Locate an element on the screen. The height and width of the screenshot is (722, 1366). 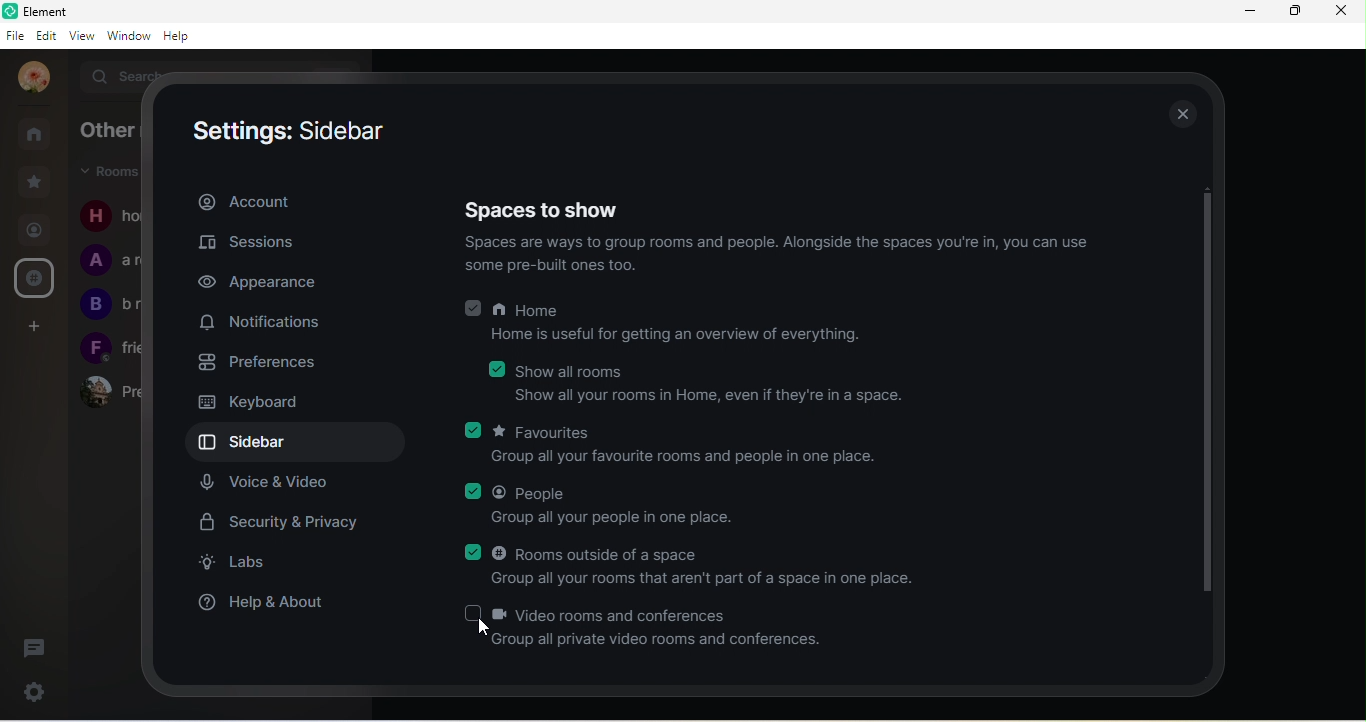
maximize is located at coordinates (1294, 14).